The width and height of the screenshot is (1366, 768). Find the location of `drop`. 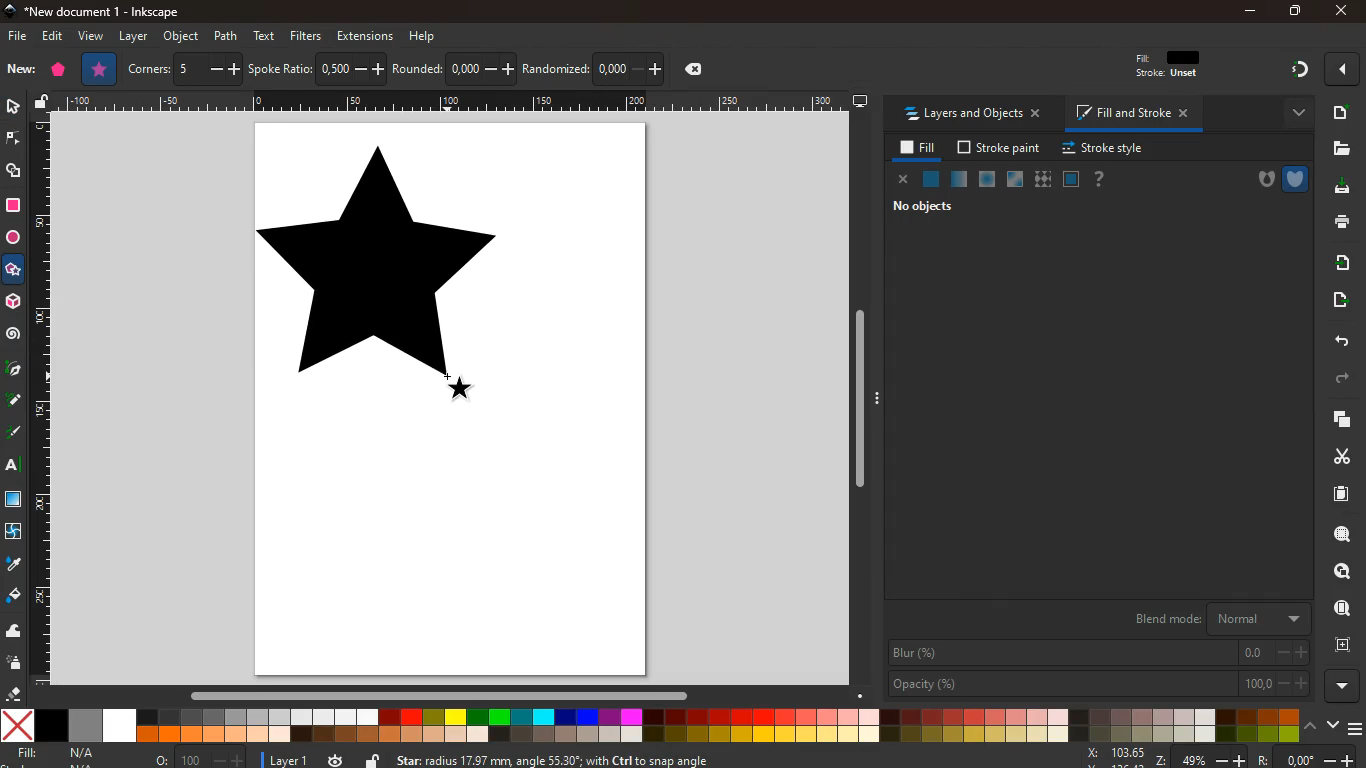

drop is located at coordinates (14, 564).